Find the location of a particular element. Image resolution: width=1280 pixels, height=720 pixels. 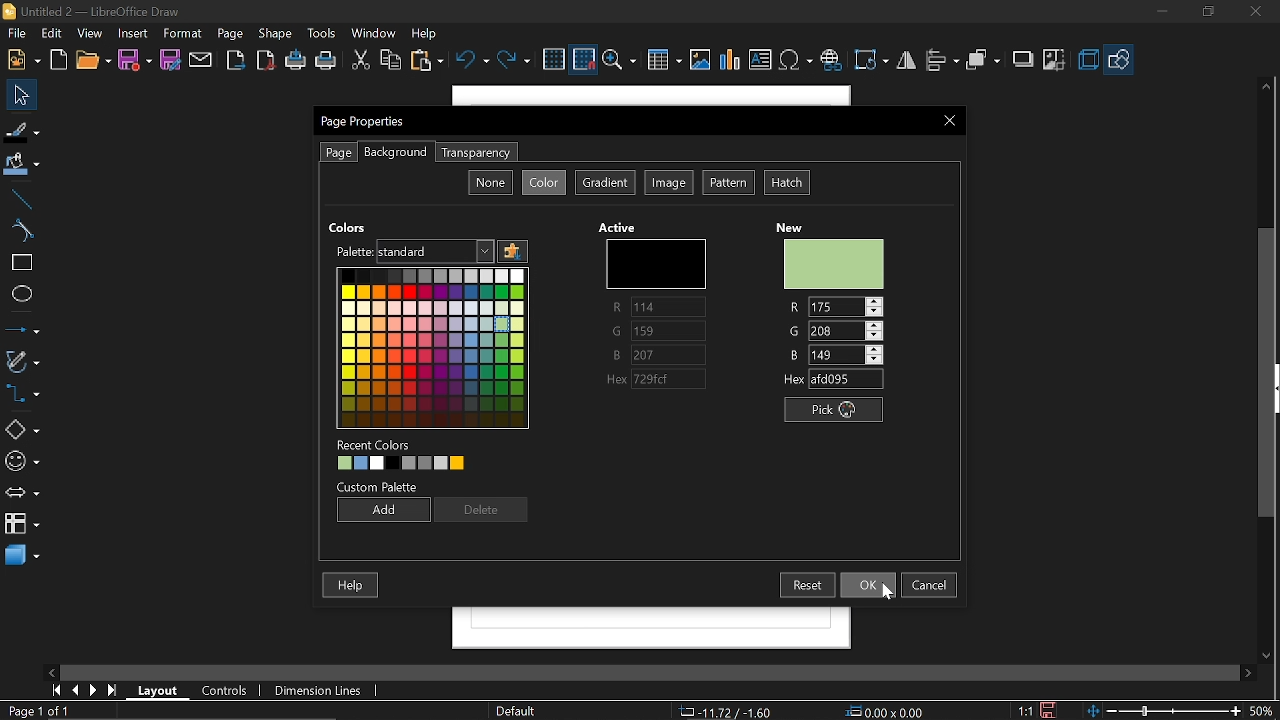

Open is located at coordinates (92, 61).